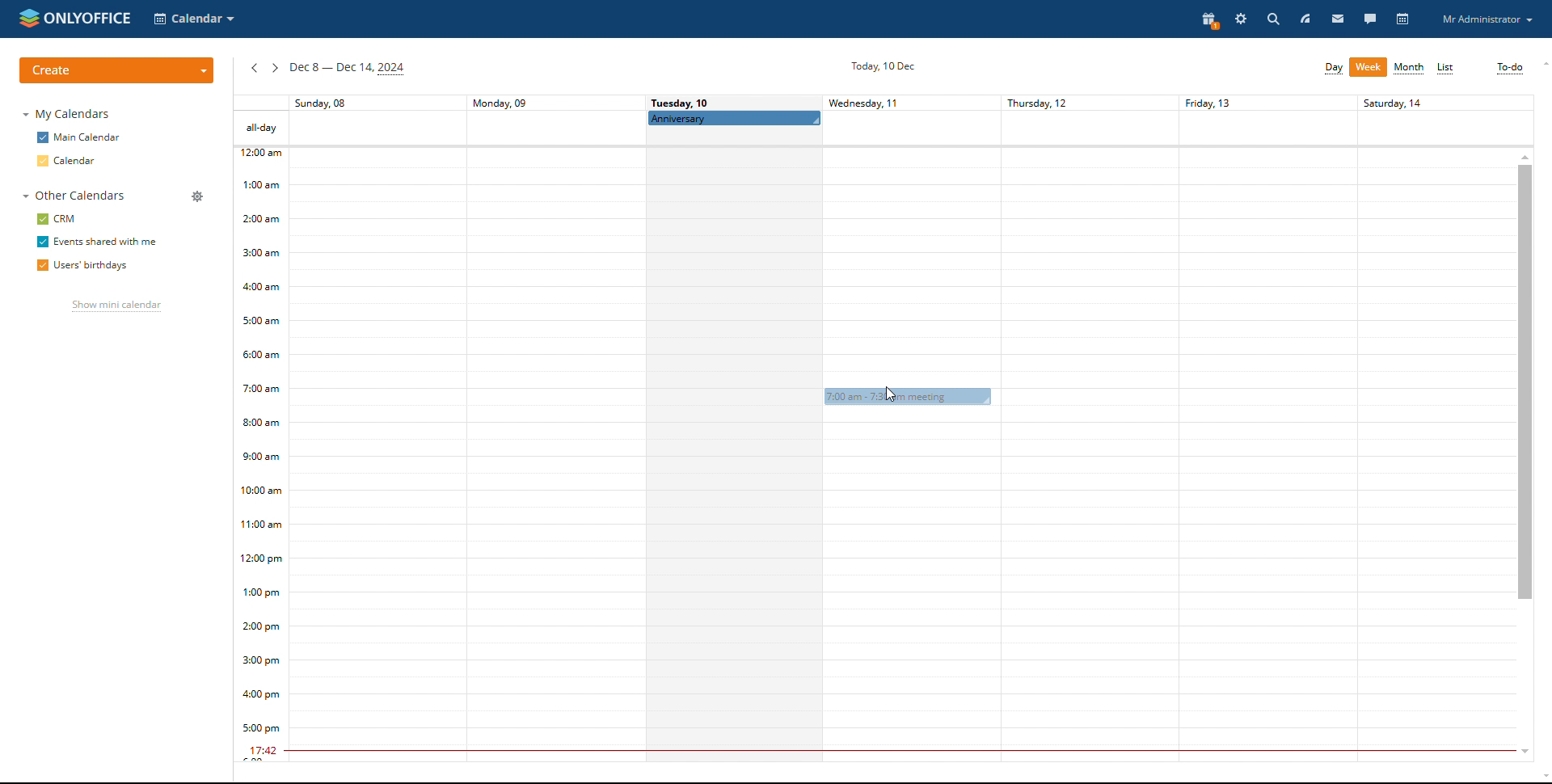 This screenshot has height=784, width=1552. I want to click on list view, so click(1447, 69).